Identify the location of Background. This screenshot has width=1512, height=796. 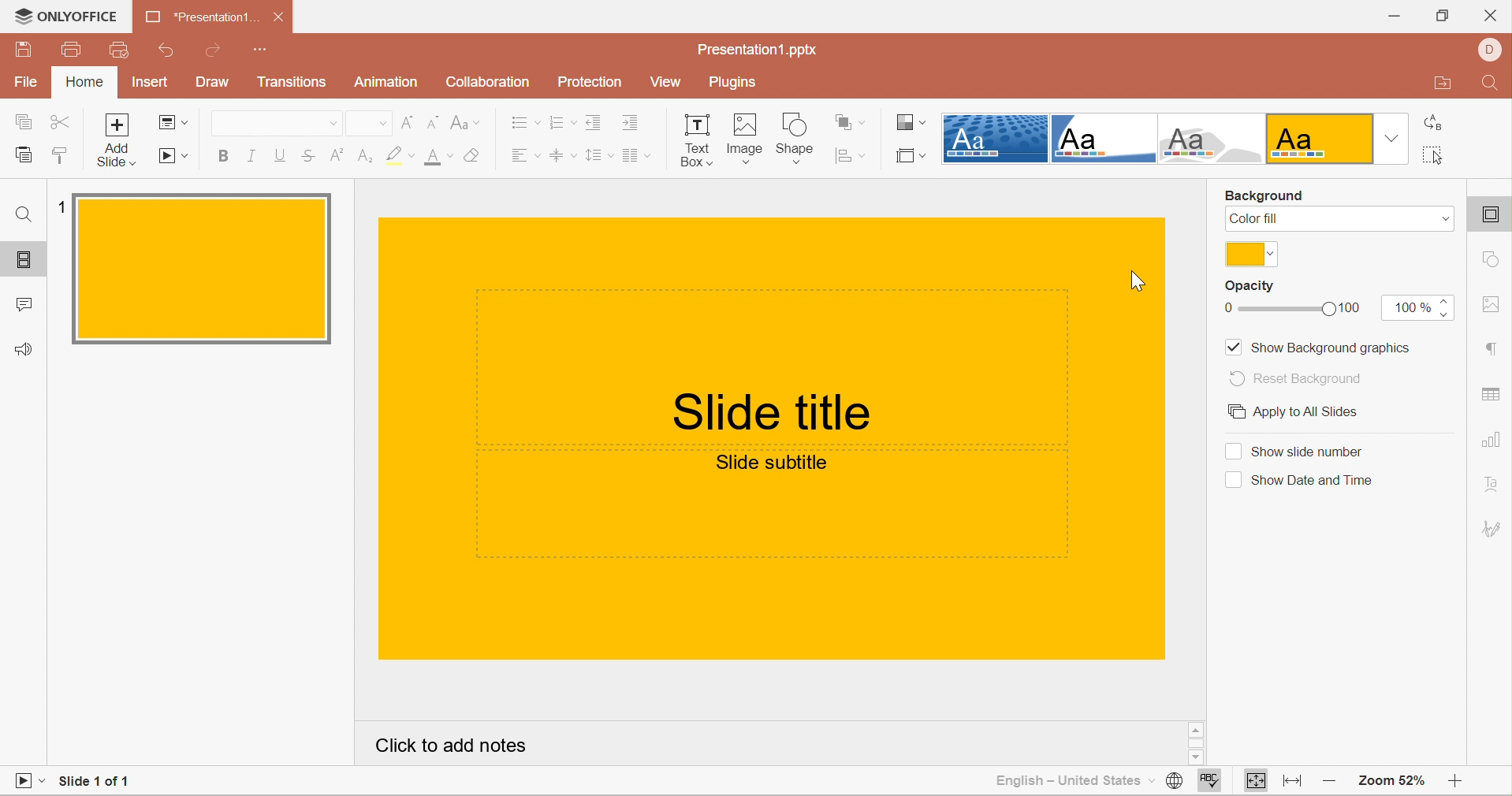
(1266, 197).